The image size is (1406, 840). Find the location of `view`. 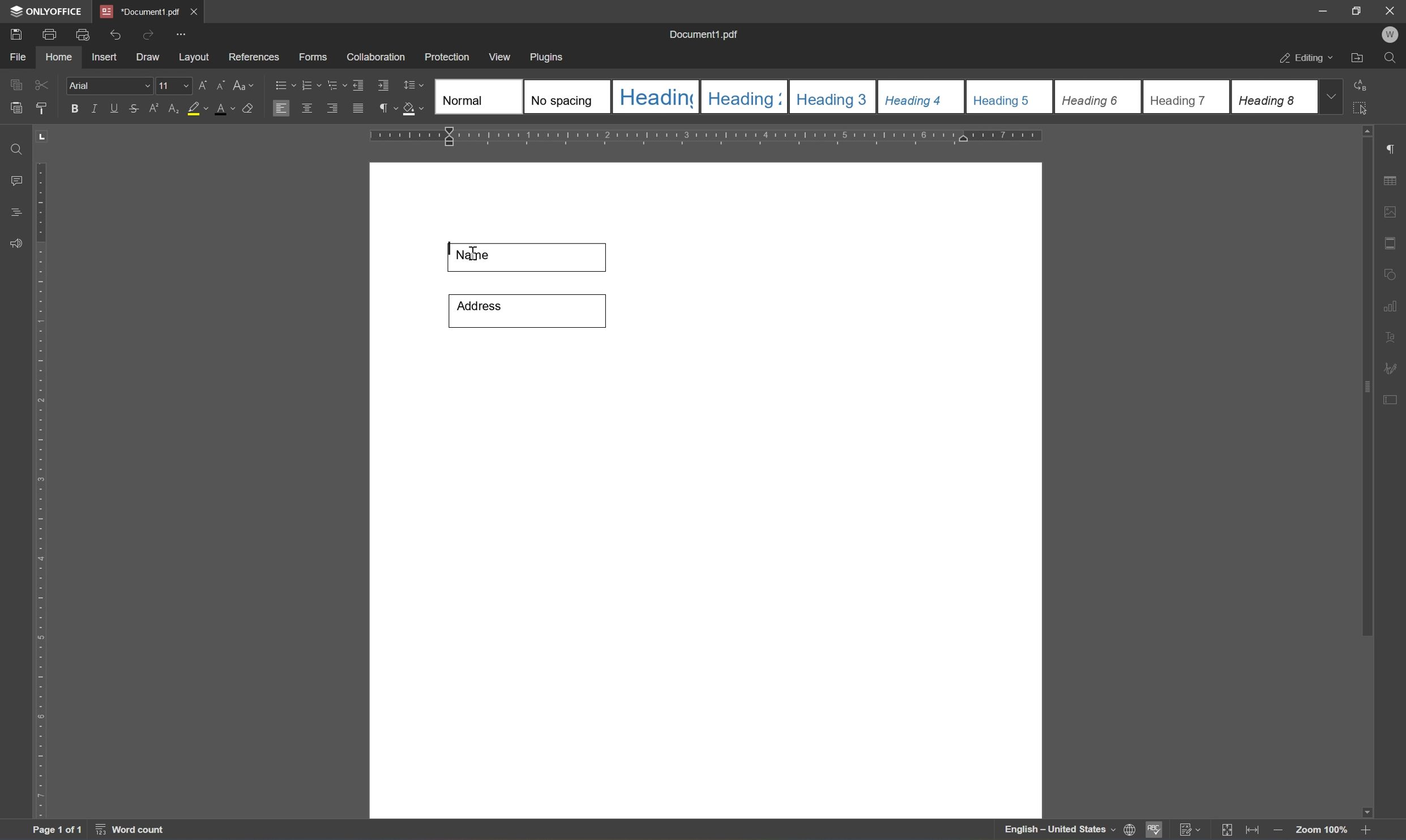

view is located at coordinates (502, 56).